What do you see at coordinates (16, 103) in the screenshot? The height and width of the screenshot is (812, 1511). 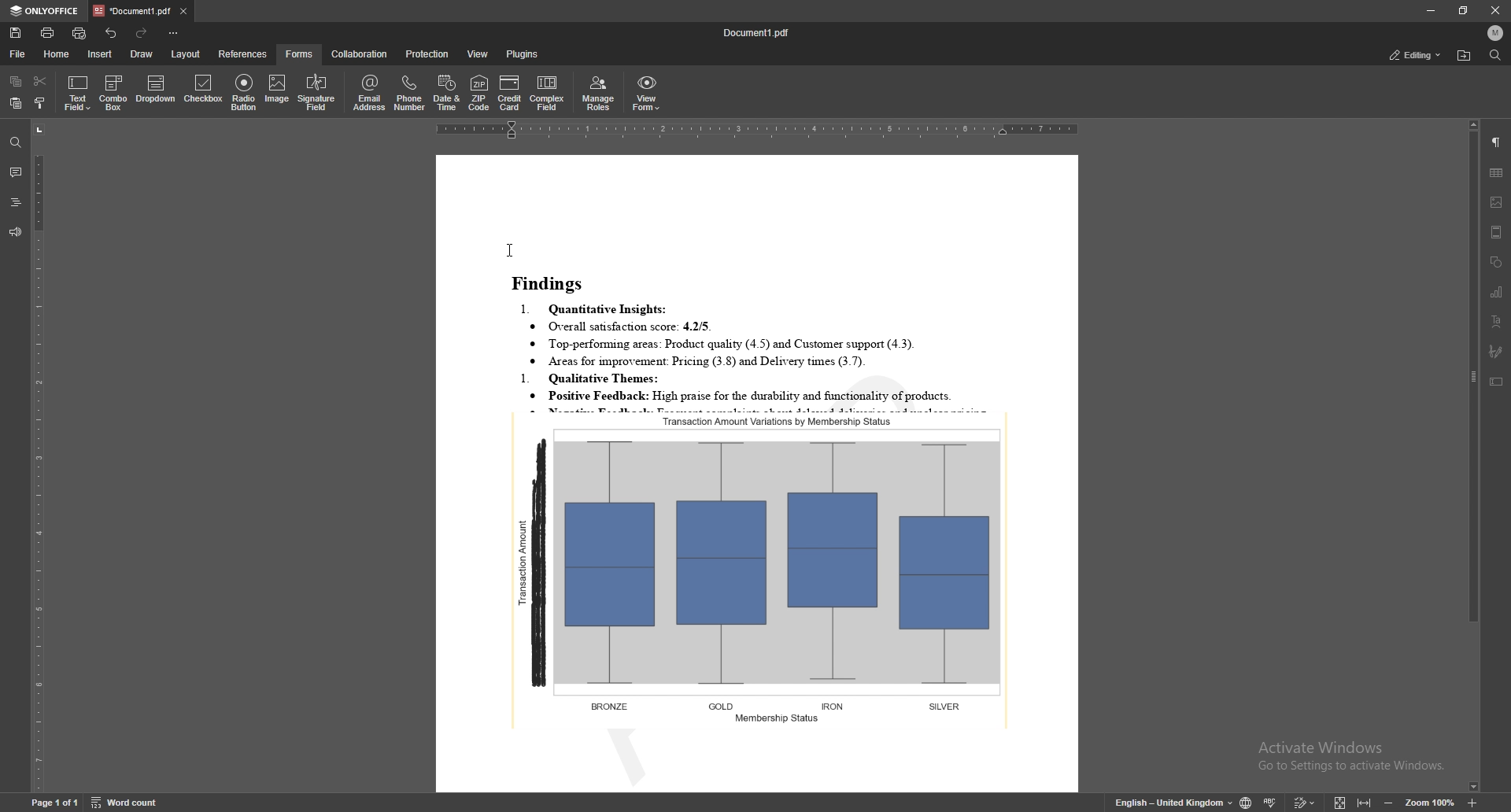 I see `paste` at bounding box center [16, 103].